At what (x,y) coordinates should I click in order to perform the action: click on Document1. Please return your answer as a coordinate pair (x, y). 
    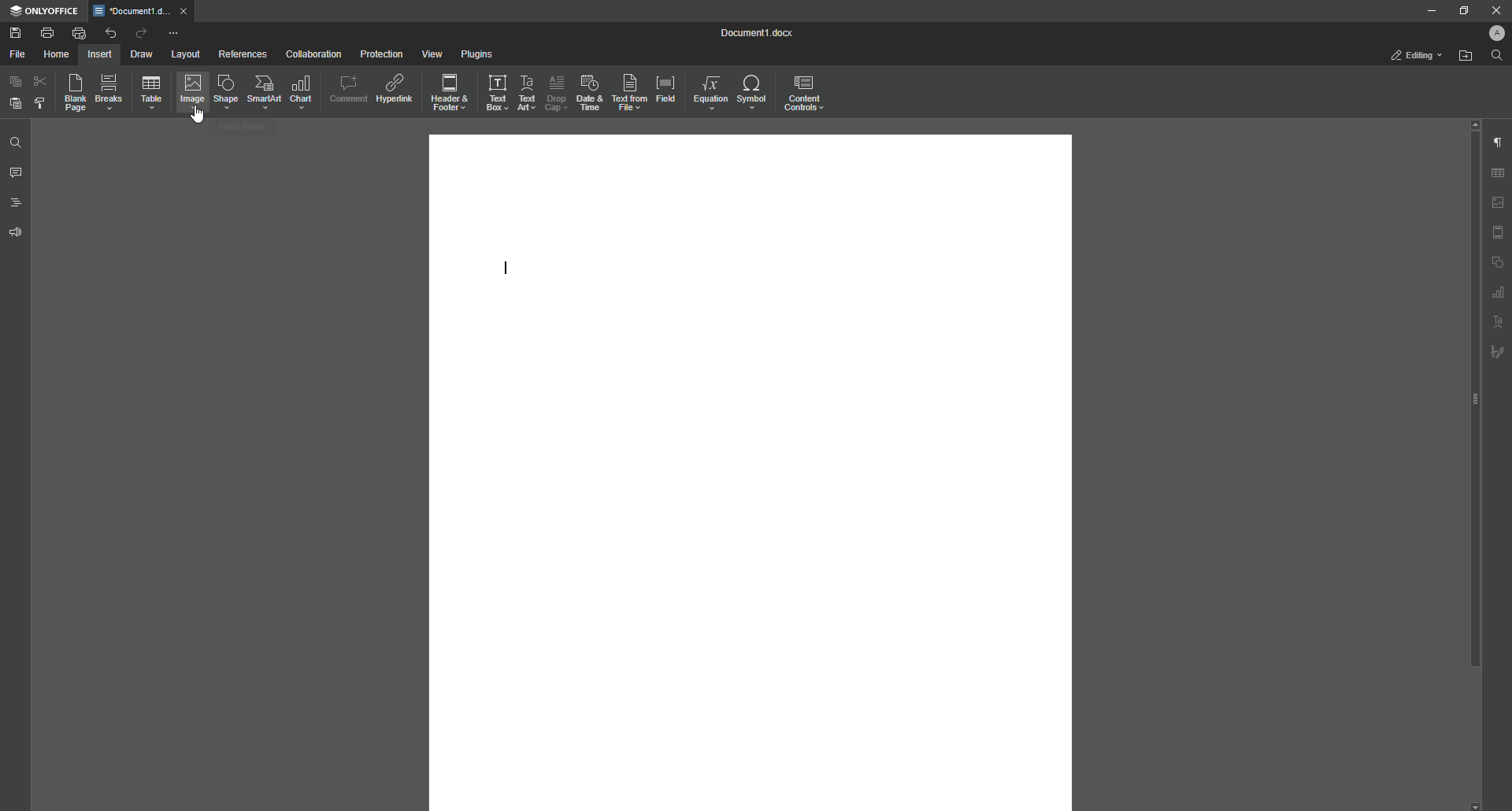
    Looking at the image, I should click on (757, 32).